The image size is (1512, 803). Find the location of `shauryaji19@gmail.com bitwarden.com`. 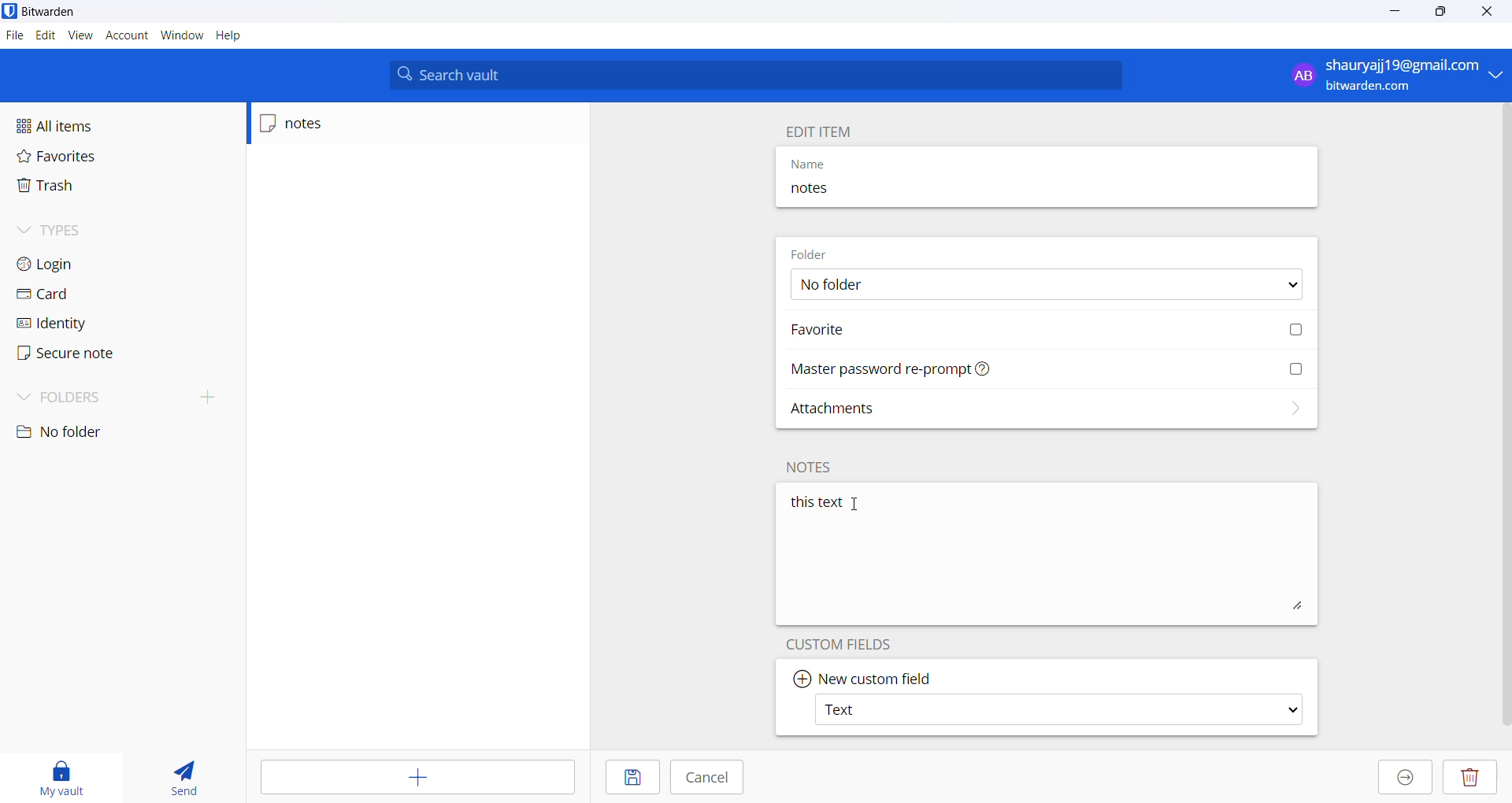

shauryaji19@gmail.com bitwarden.com is located at coordinates (1390, 75).